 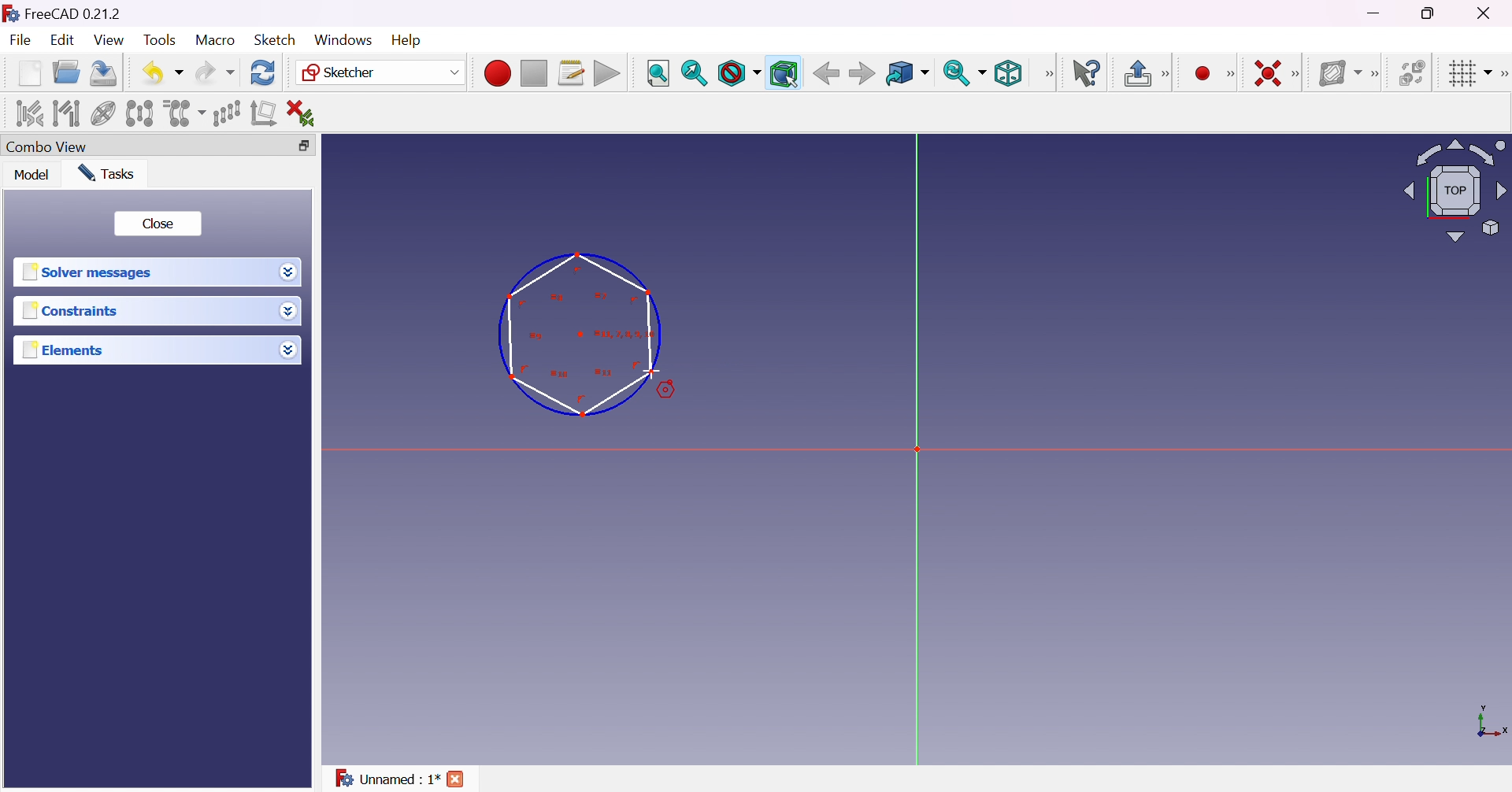 I want to click on Model, so click(x=33, y=174).